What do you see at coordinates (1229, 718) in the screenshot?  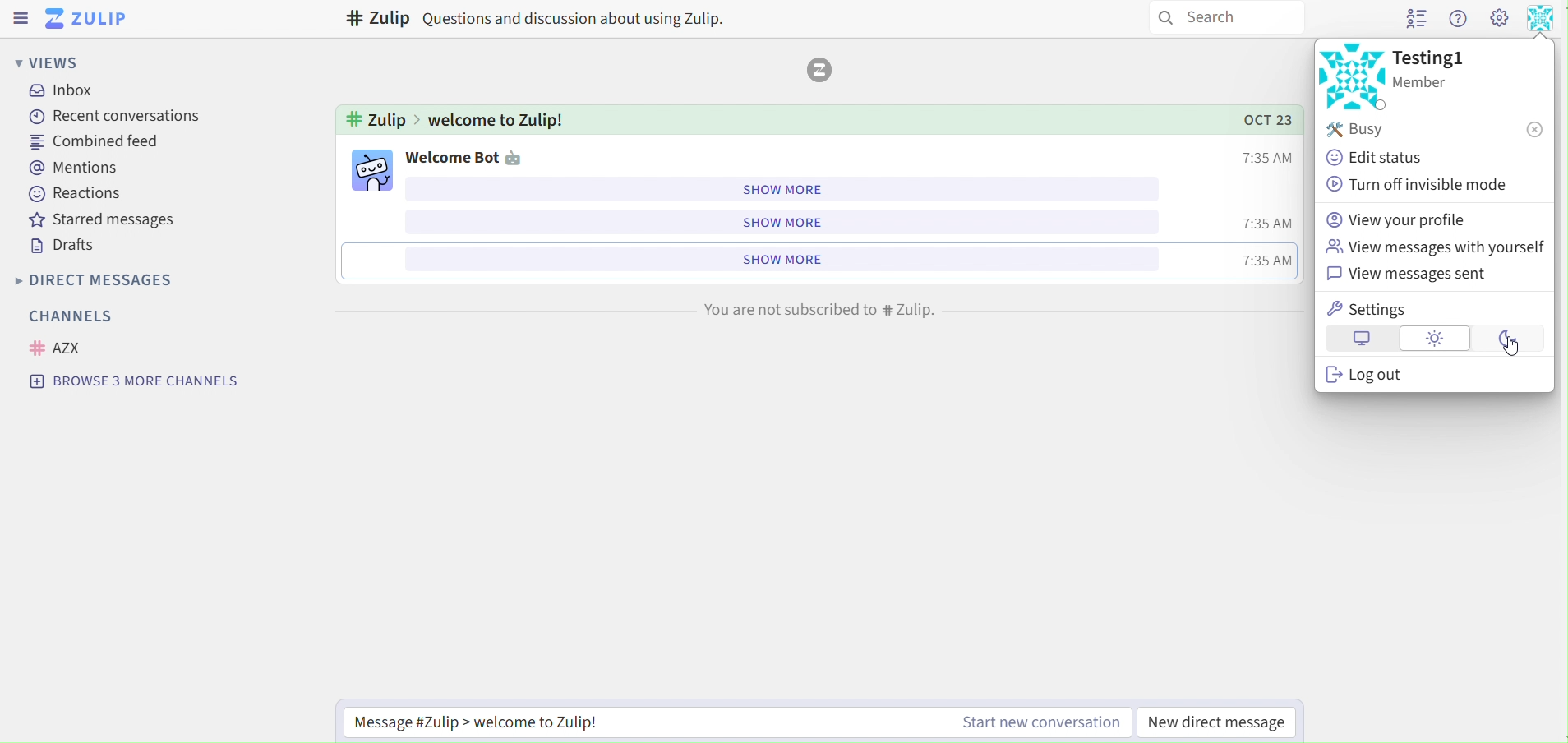 I see `new direct message` at bounding box center [1229, 718].